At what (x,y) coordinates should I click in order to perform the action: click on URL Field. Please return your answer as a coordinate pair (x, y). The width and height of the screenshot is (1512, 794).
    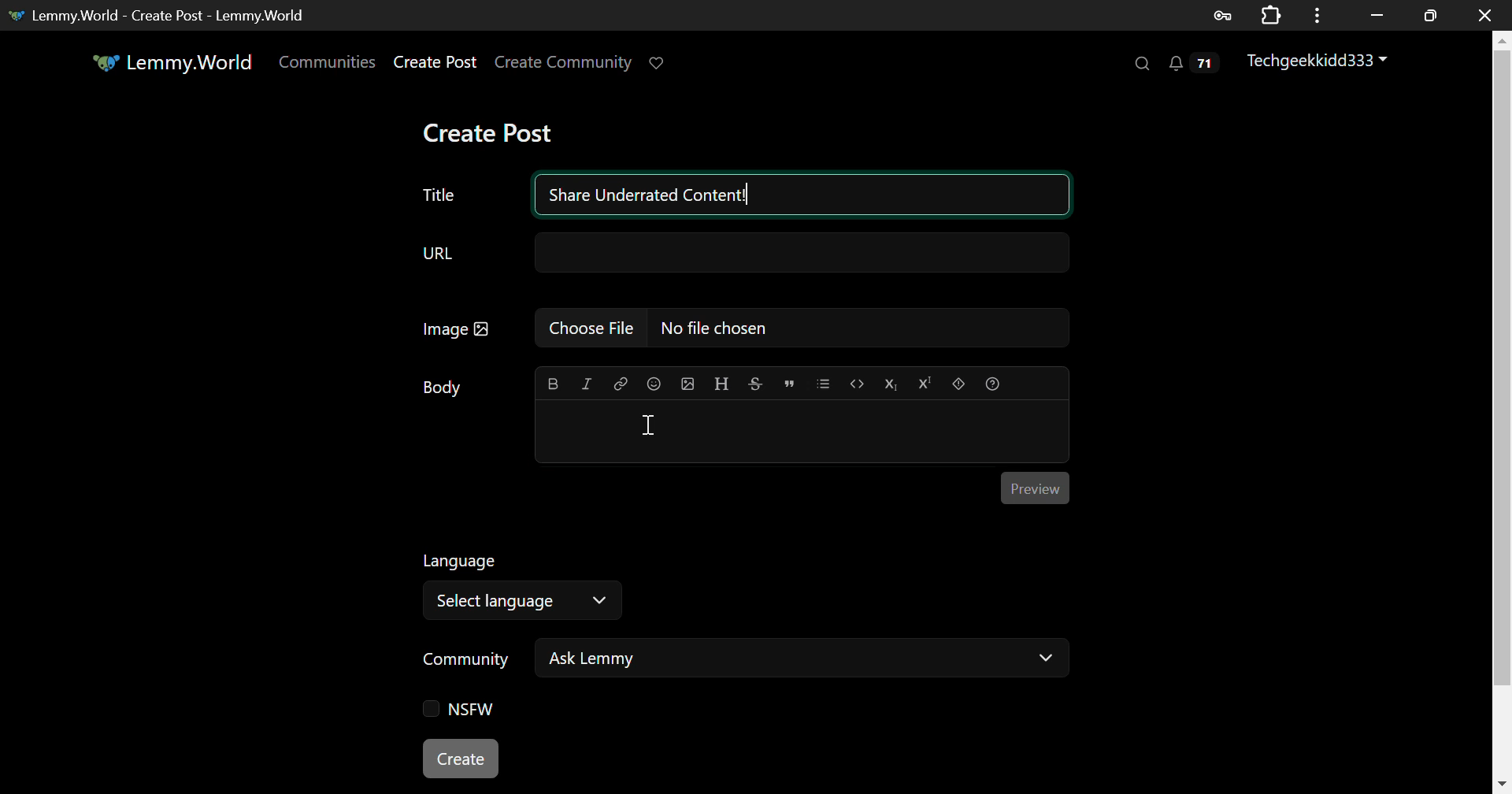
    Looking at the image, I should click on (740, 255).